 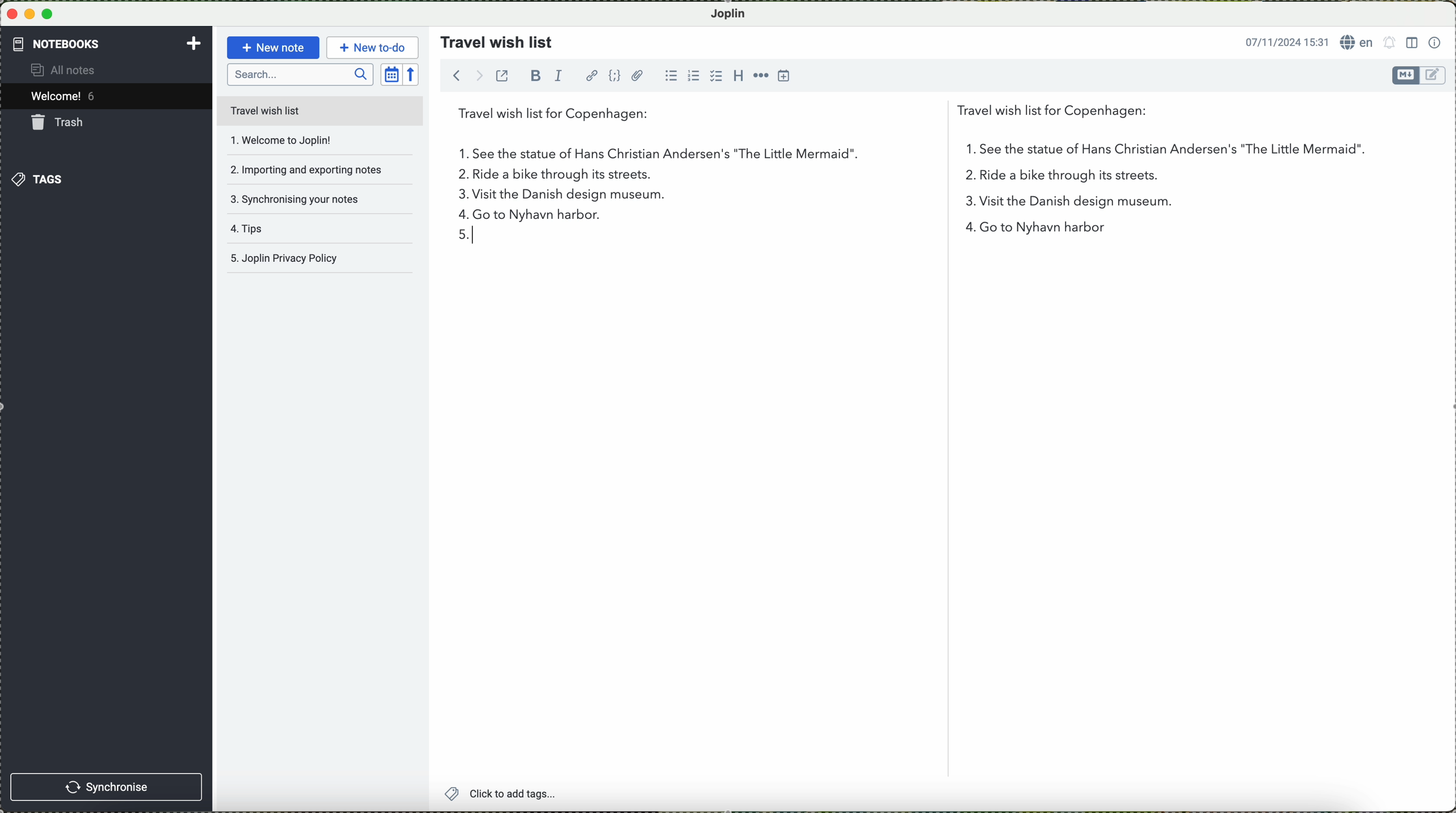 What do you see at coordinates (66, 98) in the screenshot?
I see `welcome 5` at bounding box center [66, 98].